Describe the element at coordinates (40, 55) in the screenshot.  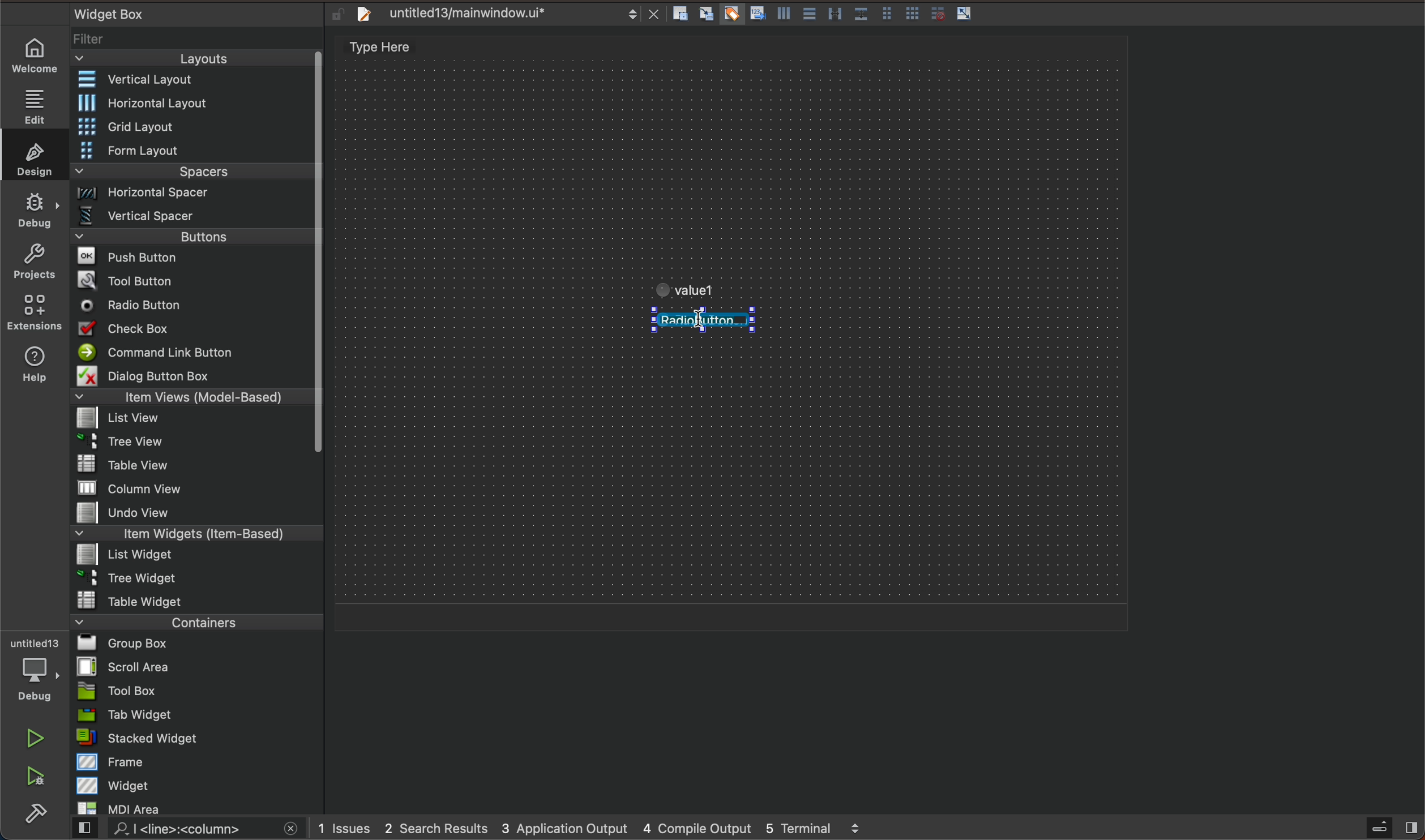
I see `home` at that location.